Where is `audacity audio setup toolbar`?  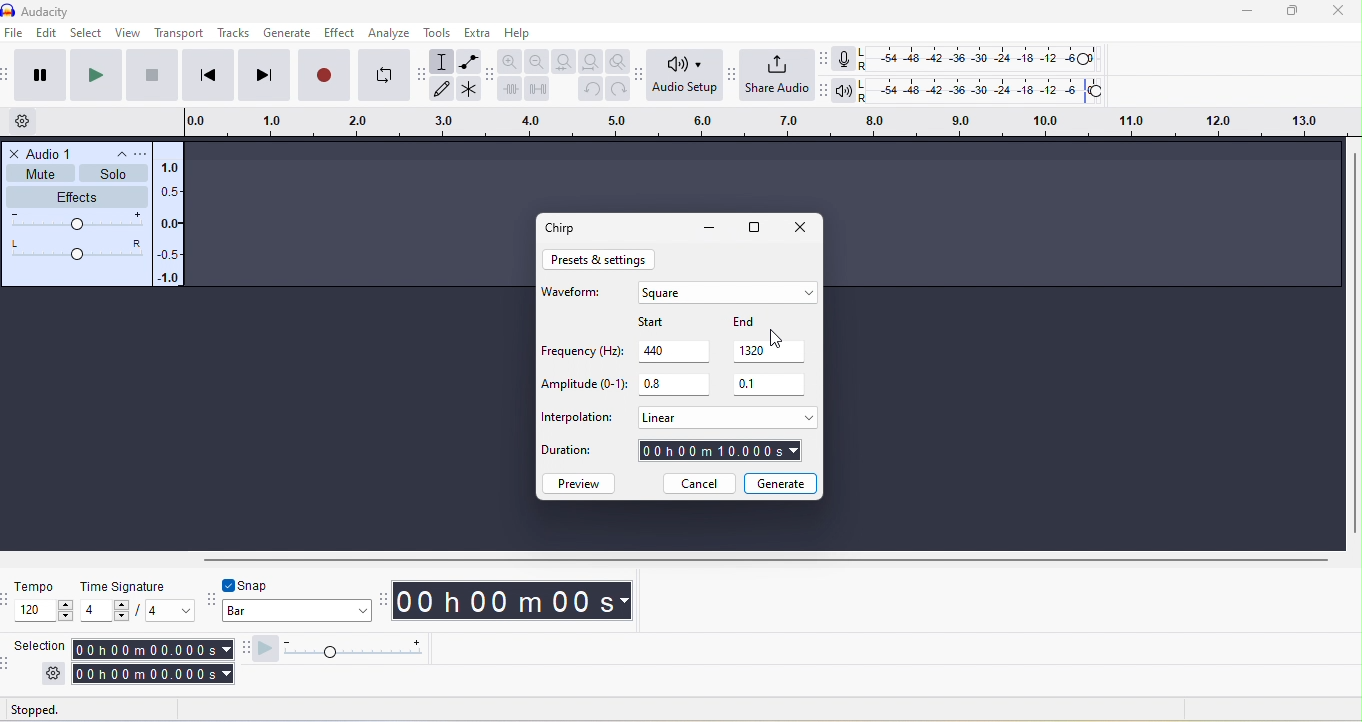 audacity audio setup toolbar is located at coordinates (643, 78).